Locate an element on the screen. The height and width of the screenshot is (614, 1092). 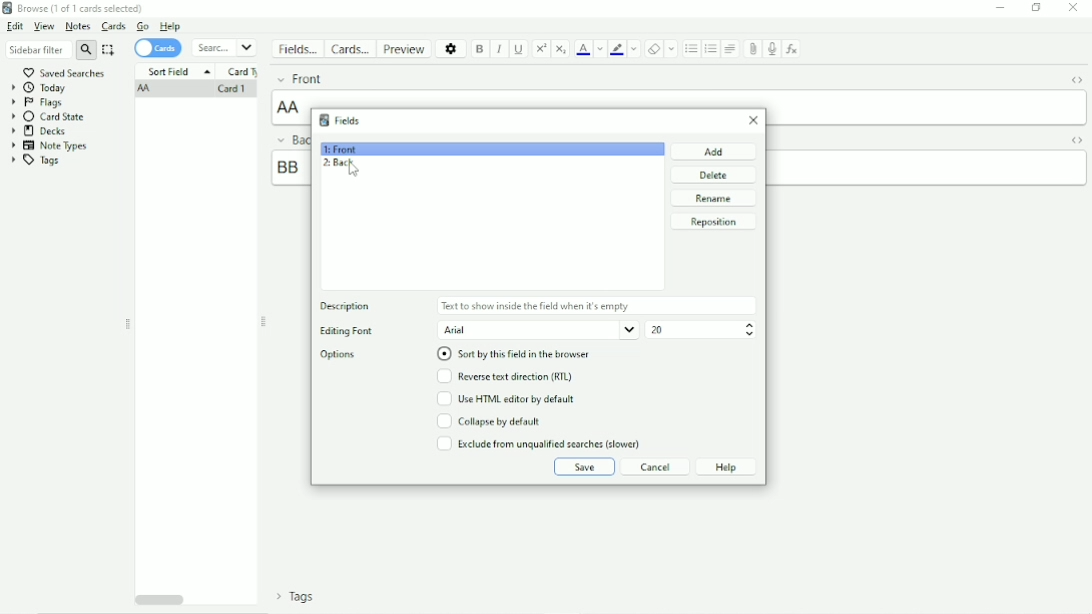
Go is located at coordinates (143, 26).